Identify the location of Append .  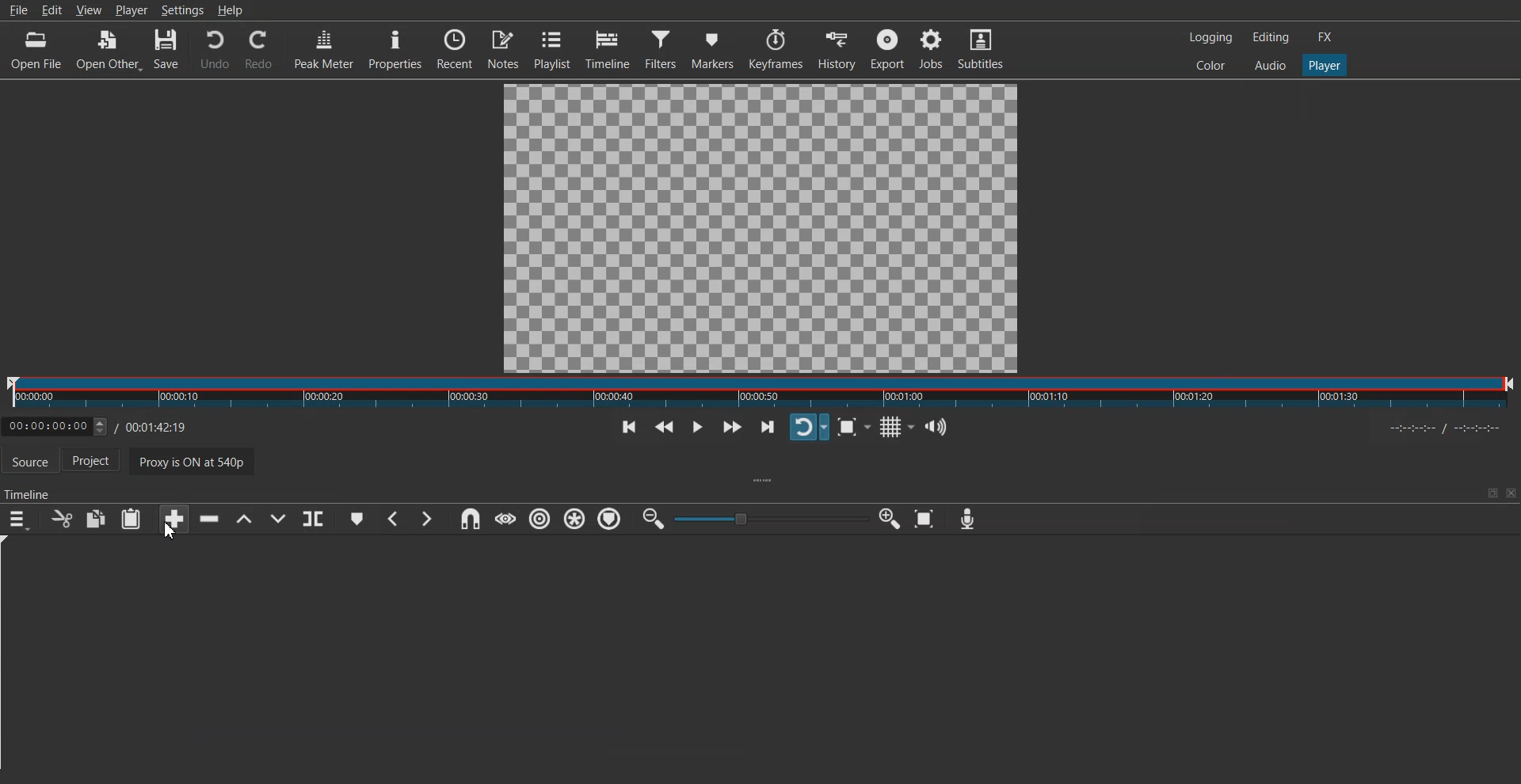
(175, 519).